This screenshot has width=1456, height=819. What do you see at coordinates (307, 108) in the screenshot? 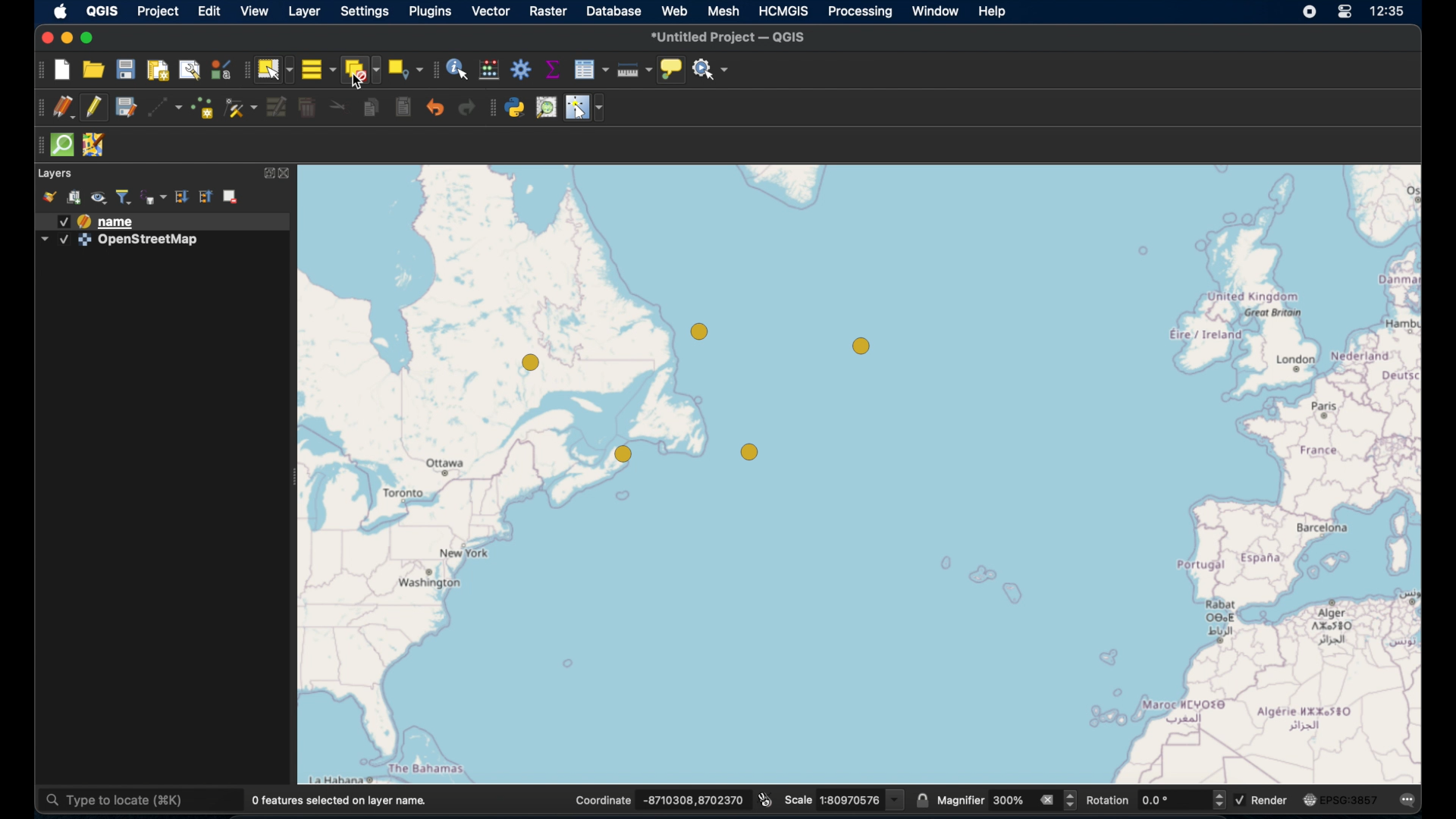
I see `delete selected ` at bounding box center [307, 108].